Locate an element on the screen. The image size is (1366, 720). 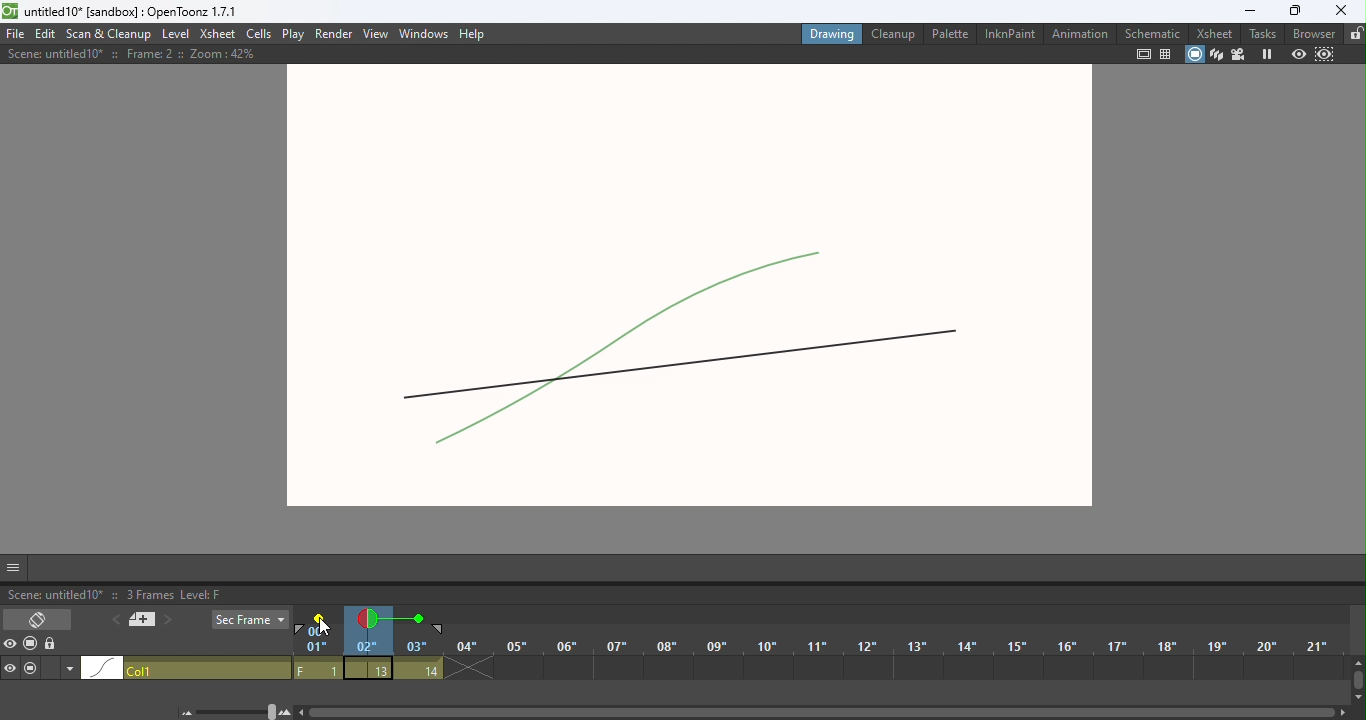
Sec frame is located at coordinates (249, 620).